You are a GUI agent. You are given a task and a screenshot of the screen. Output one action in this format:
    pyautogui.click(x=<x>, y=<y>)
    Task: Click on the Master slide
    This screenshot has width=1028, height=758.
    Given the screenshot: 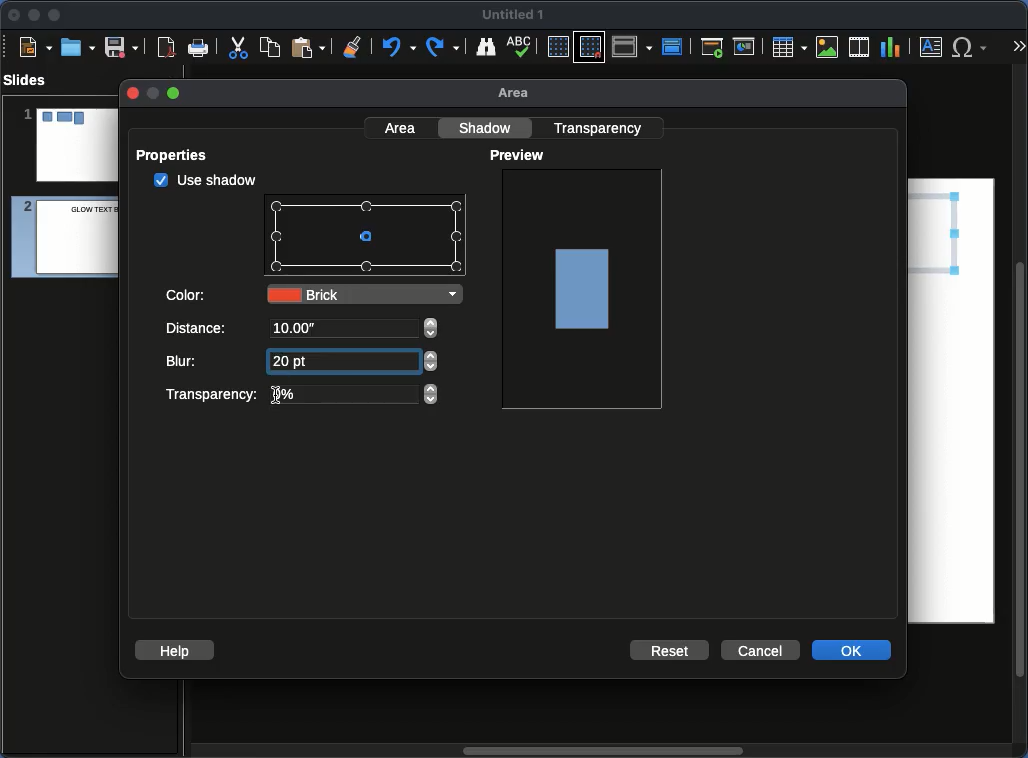 What is the action you would take?
    pyautogui.click(x=675, y=46)
    